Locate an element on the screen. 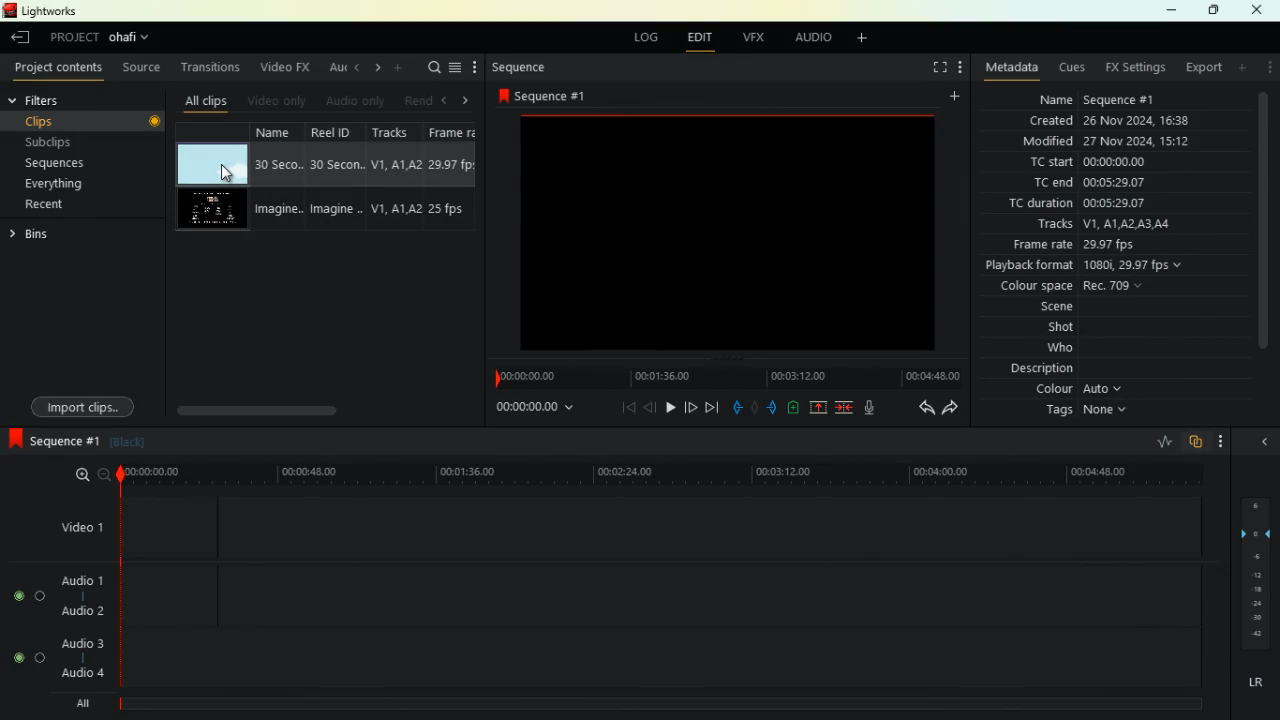 The image size is (1280, 720). video is located at coordinates (206, 210).